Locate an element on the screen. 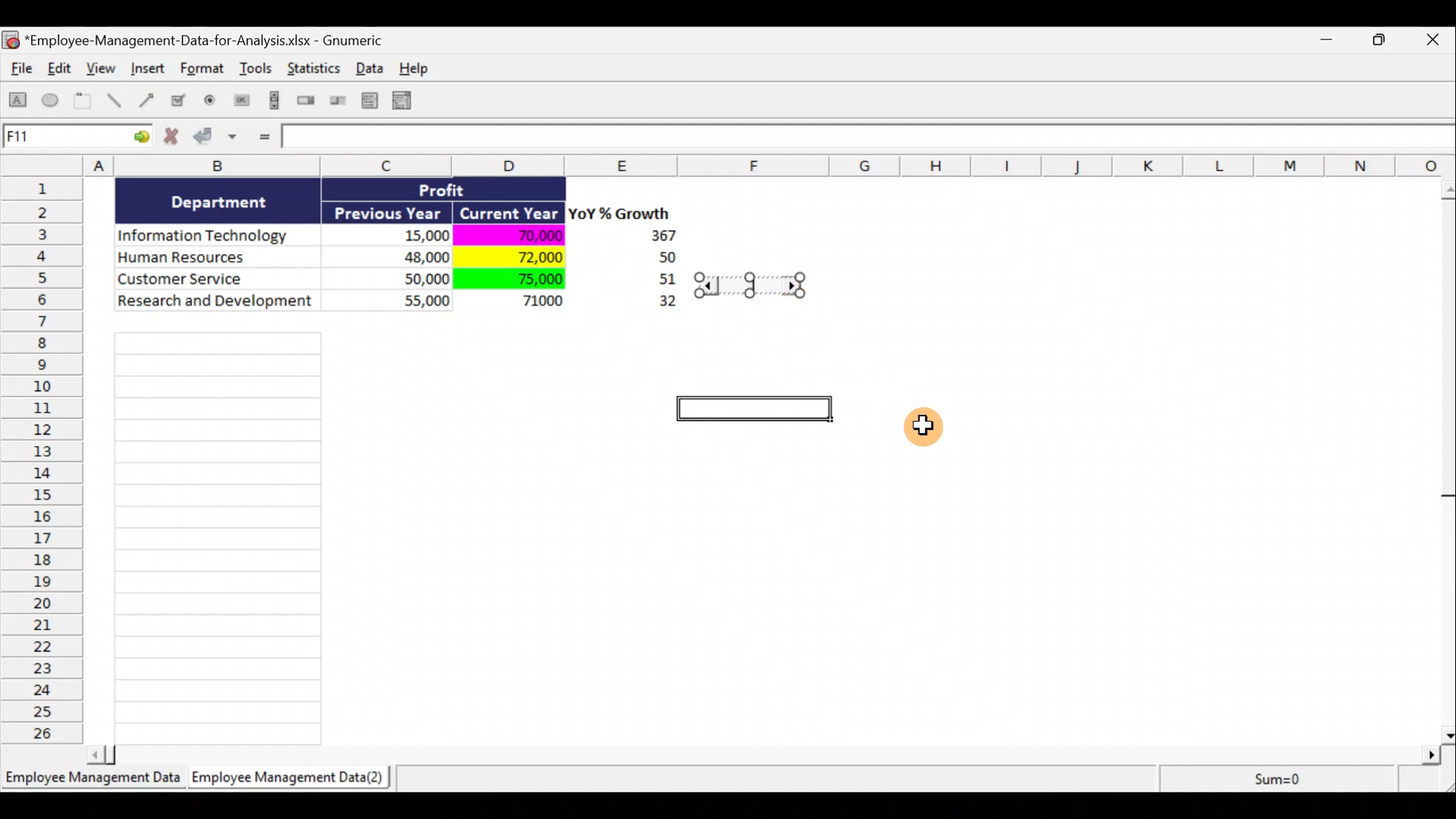 This screenshot has height=819, width=1456. Help is located at coordinates (422, 68).